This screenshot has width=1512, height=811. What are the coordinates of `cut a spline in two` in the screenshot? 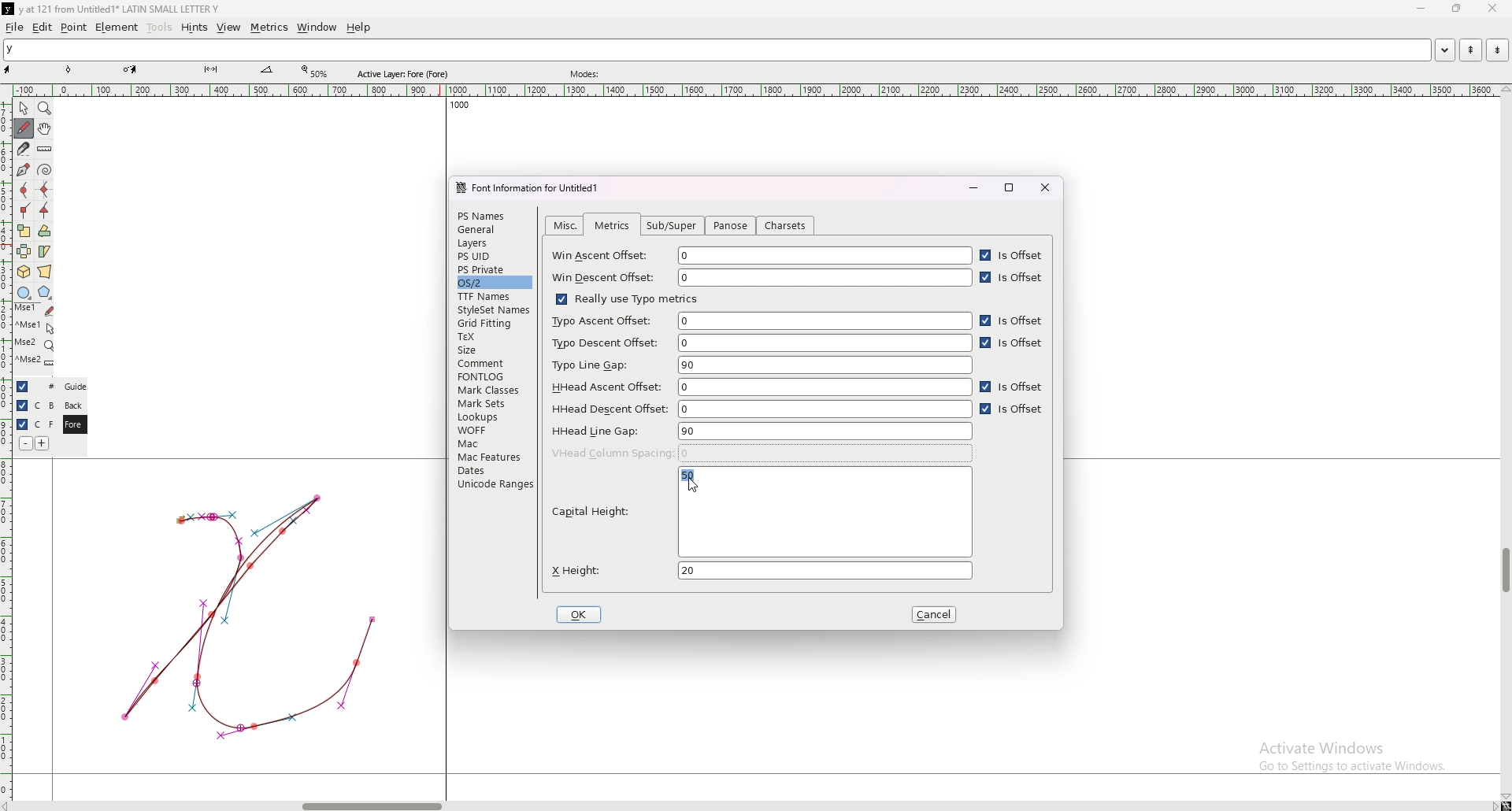 It's located at (22, 149).